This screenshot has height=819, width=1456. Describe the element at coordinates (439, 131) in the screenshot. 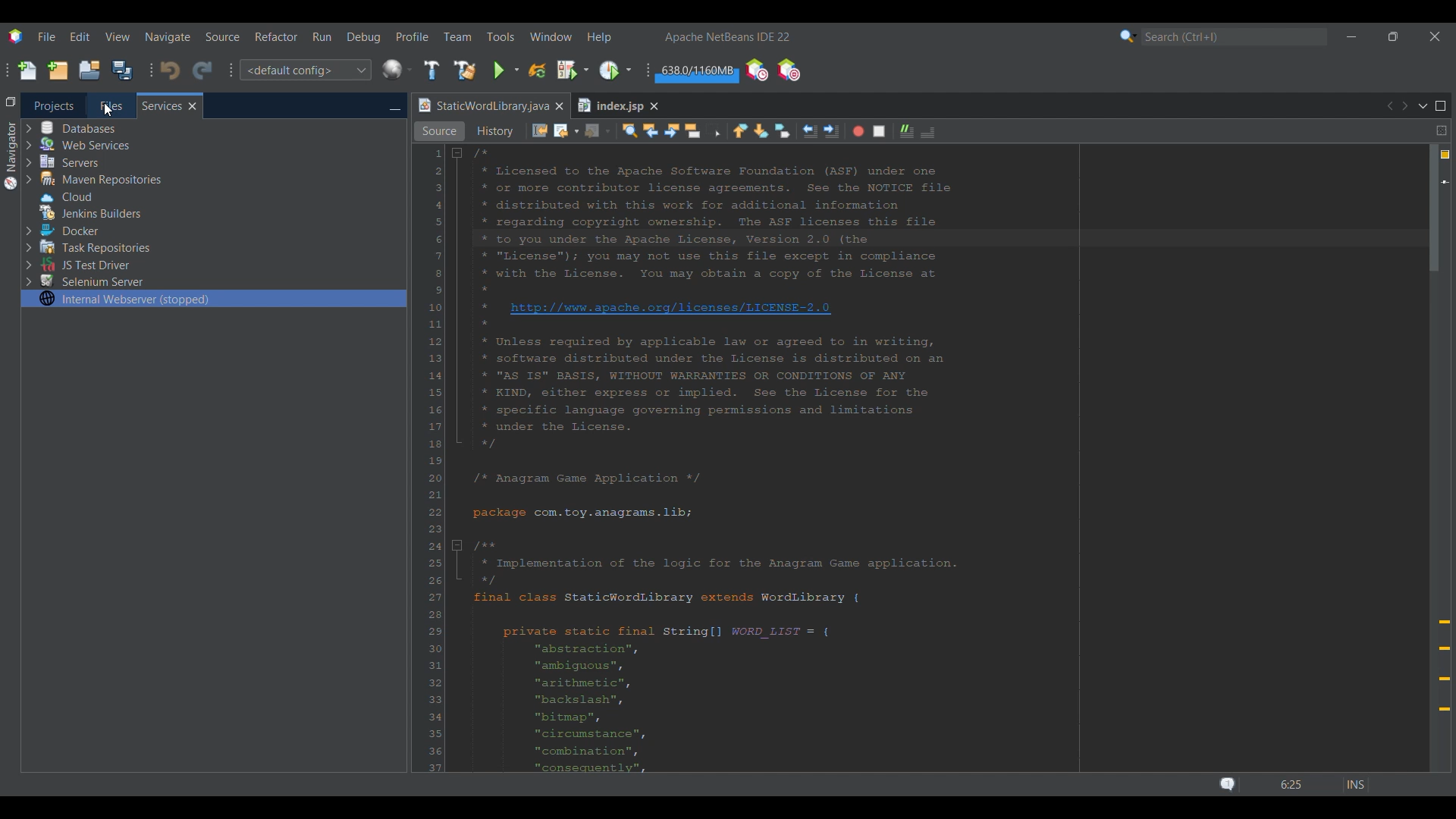

I see `Source view` at that location.